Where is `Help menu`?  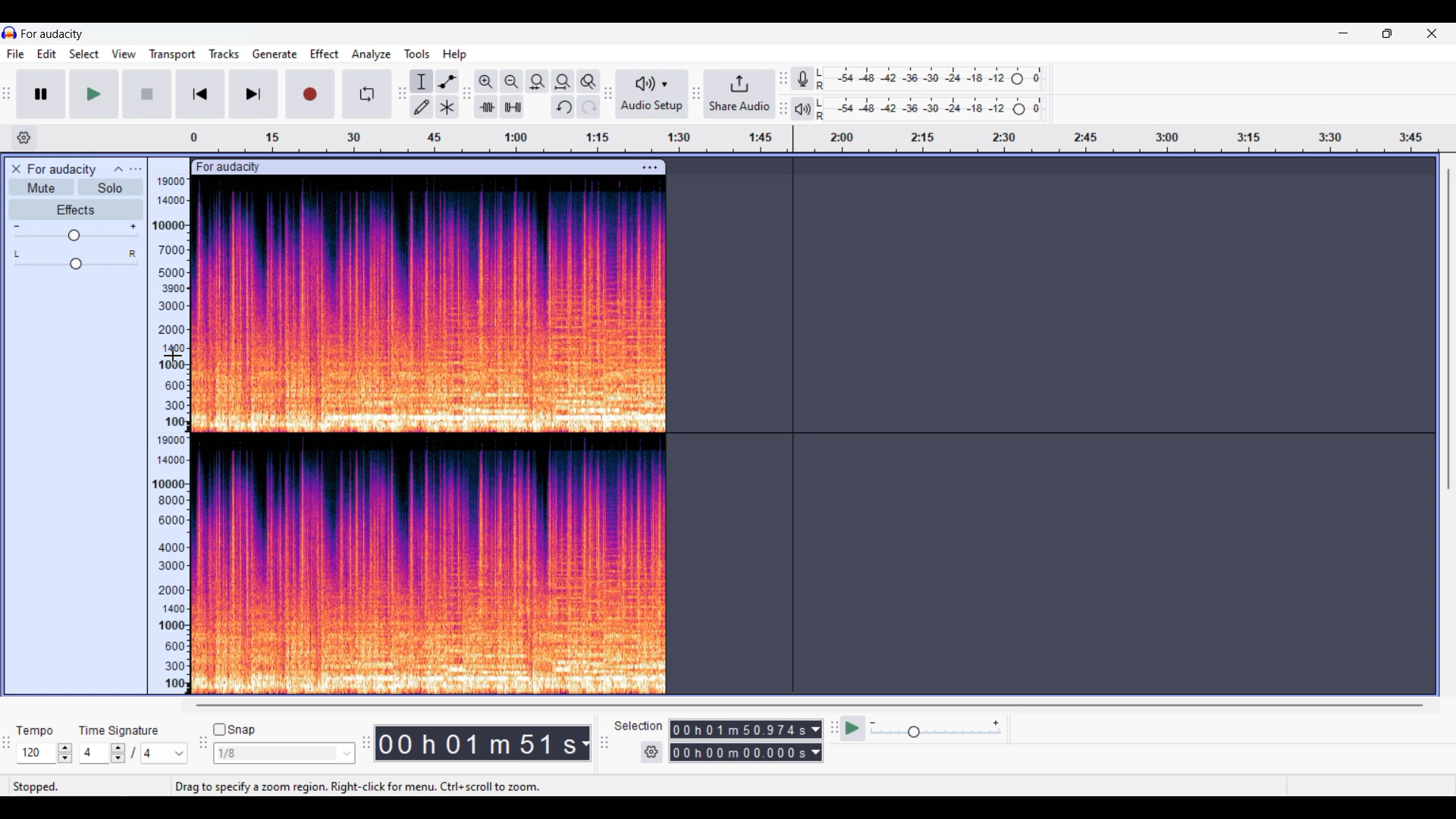 Help menu is located at coordinates (455, 55).